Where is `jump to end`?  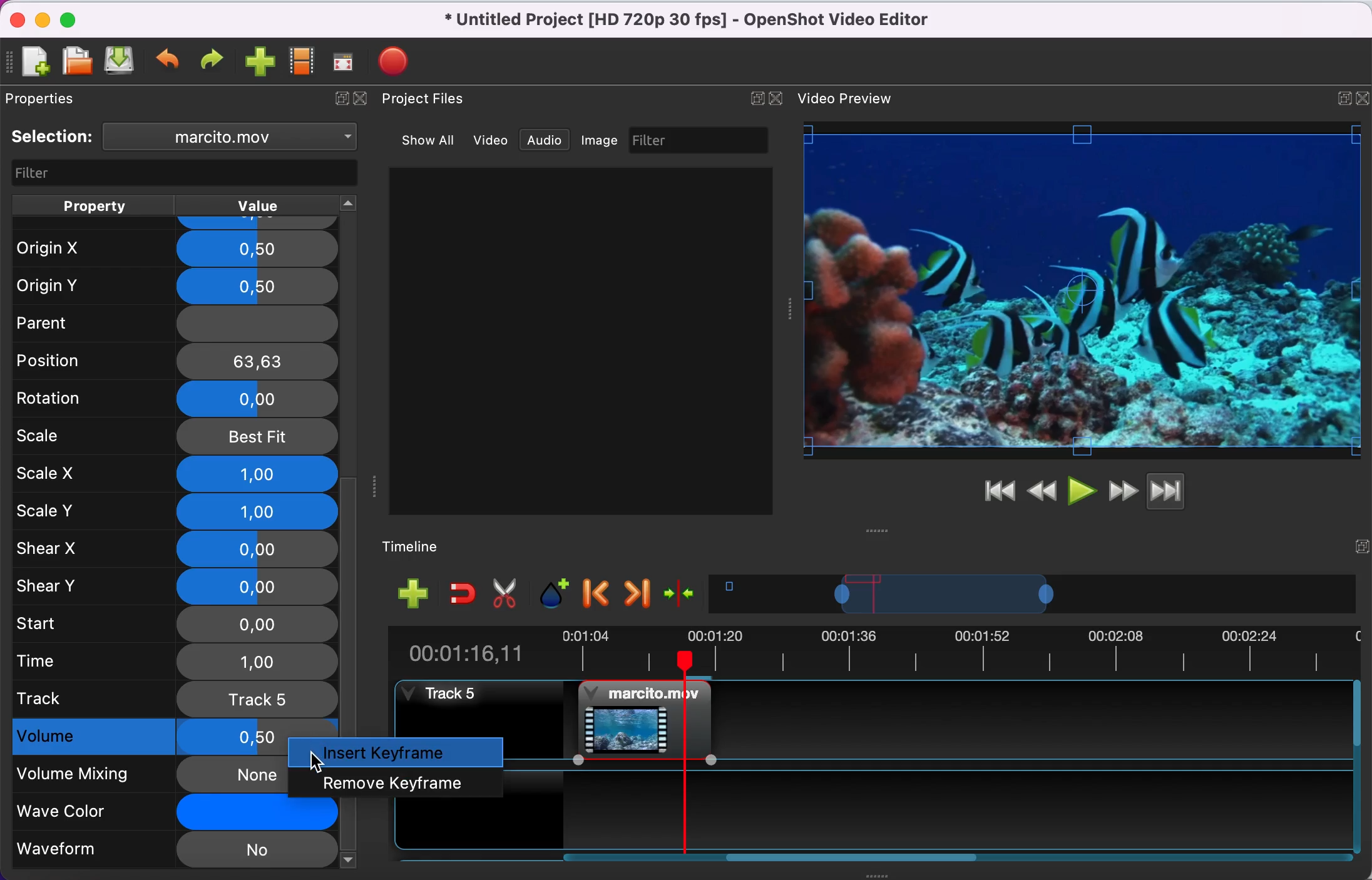 jump to end is located at coordinates (1185, 493).